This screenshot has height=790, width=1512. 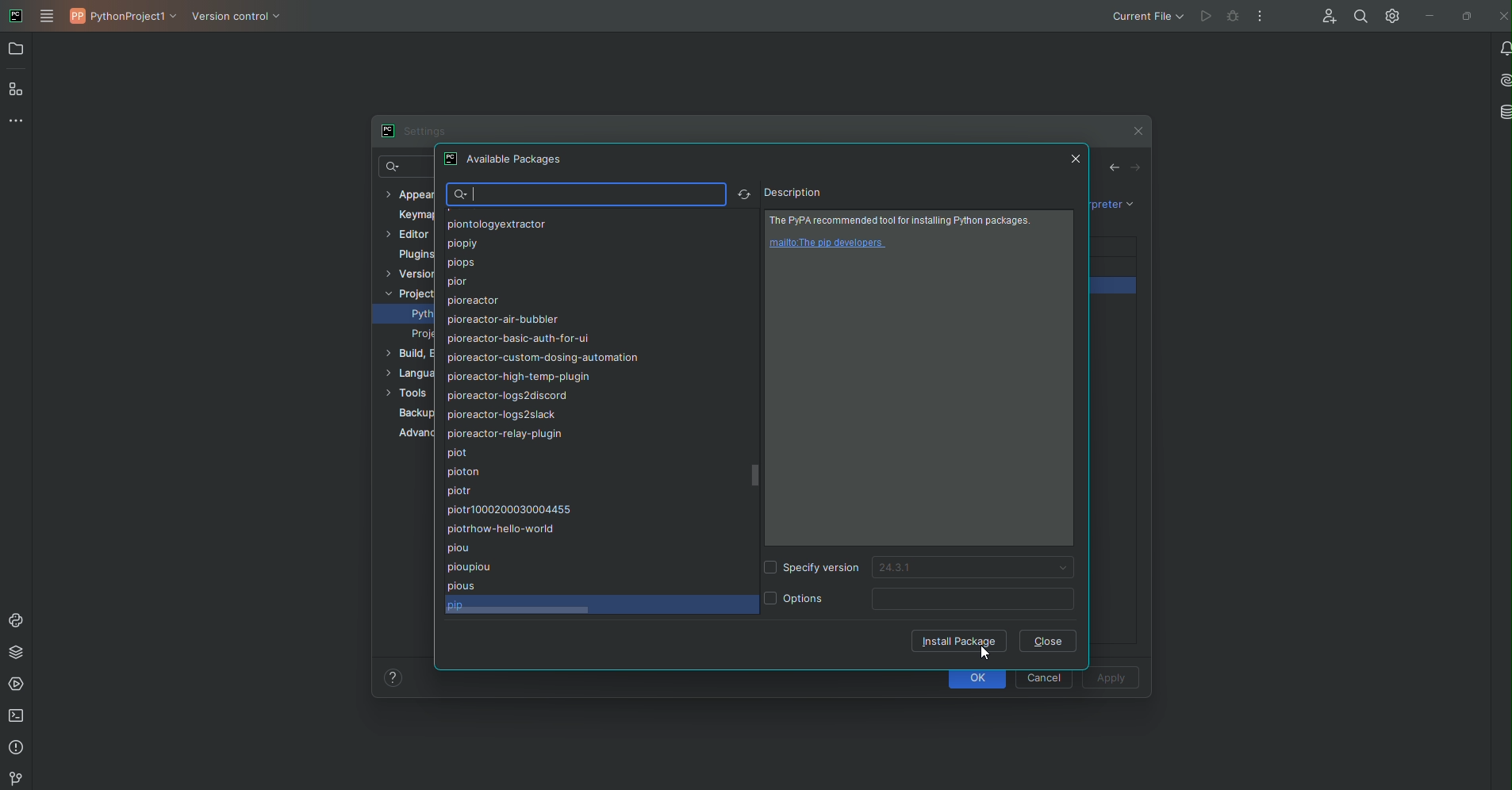 I want to click on Keymap, so click(x=416, y=213).